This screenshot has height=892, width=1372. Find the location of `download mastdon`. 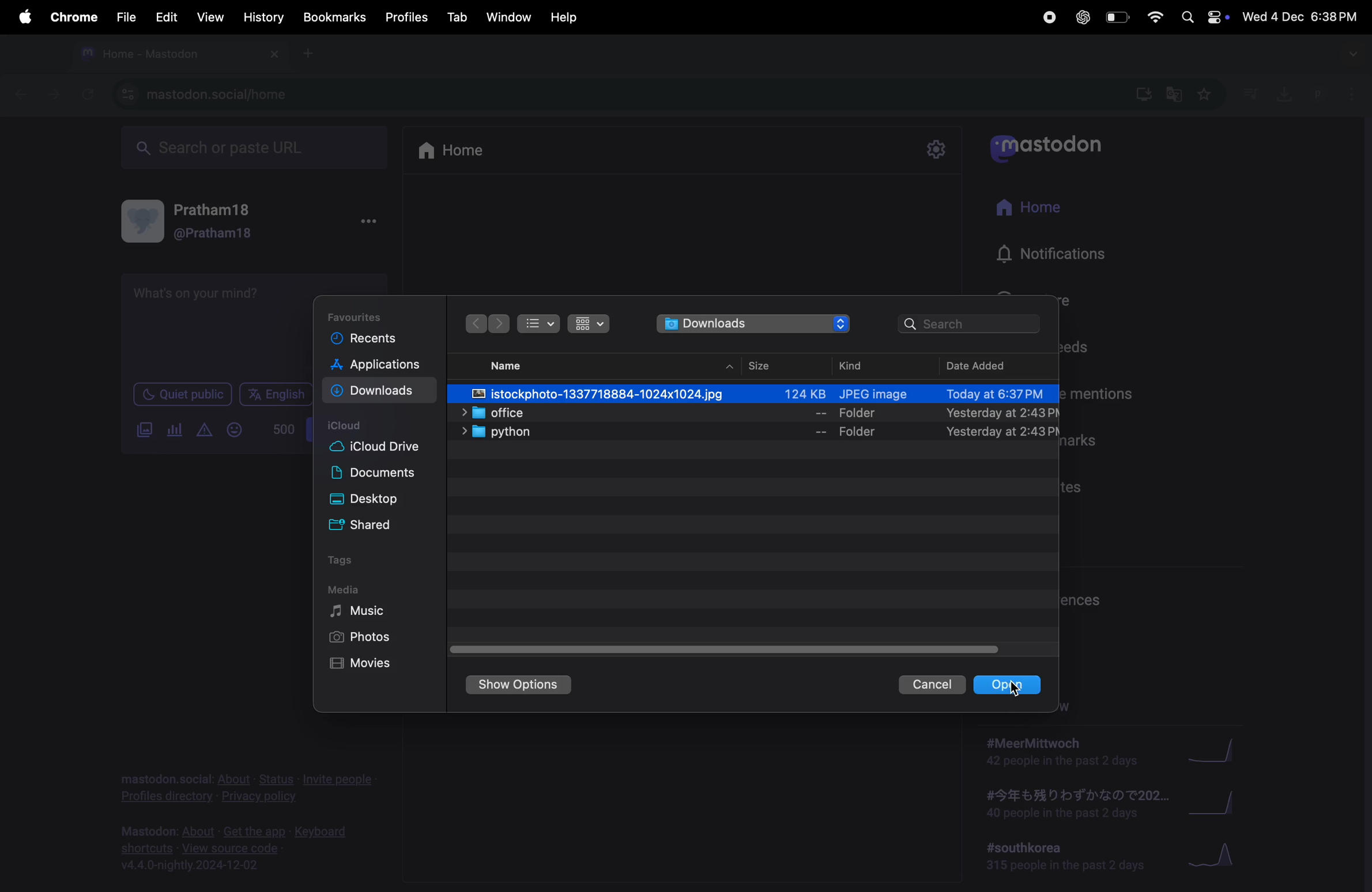

download mastdon is located at coordinates (1143, 95).